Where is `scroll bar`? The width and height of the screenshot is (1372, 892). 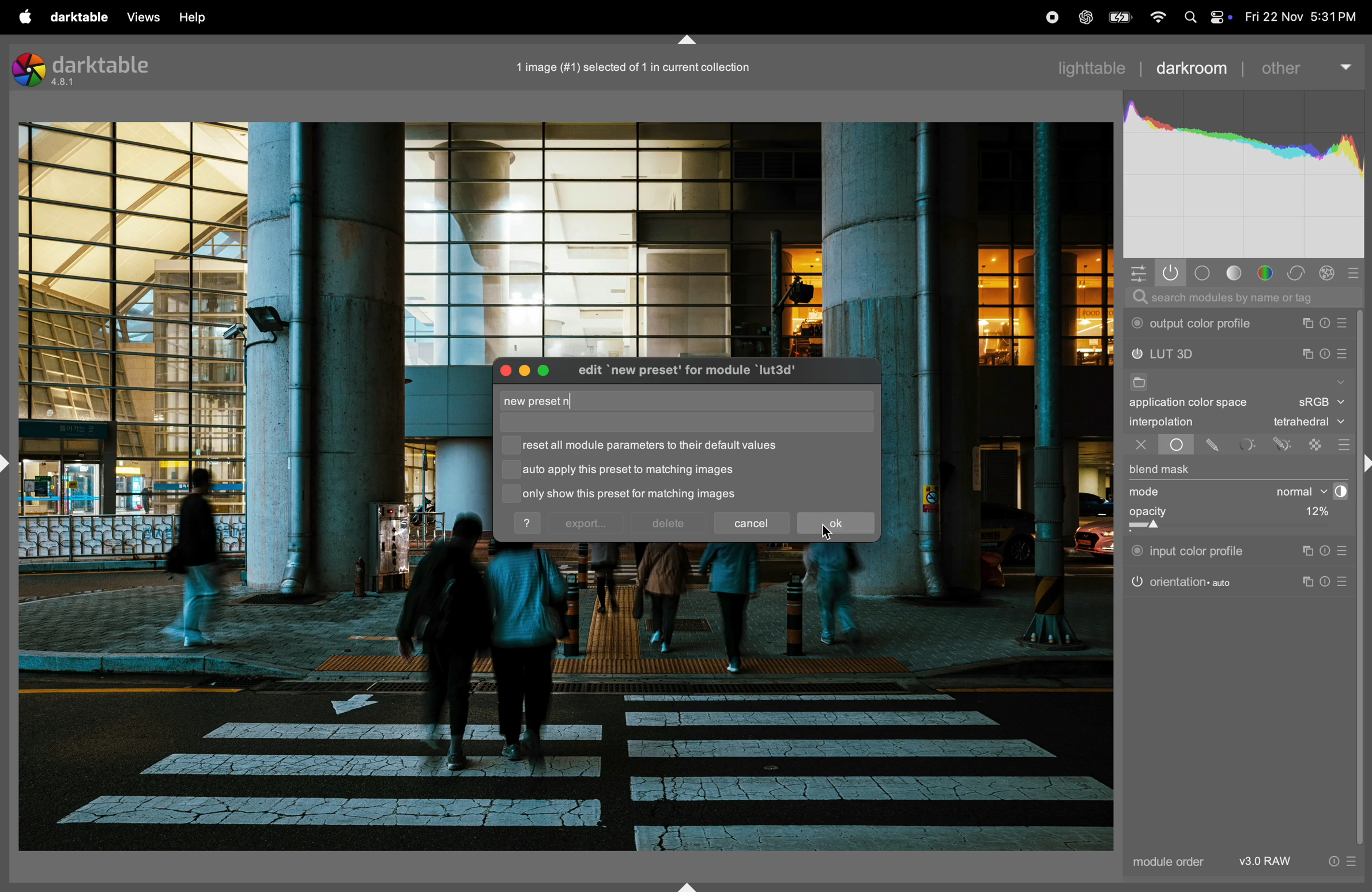 scroll bar is located at coordinates (1364, 578).